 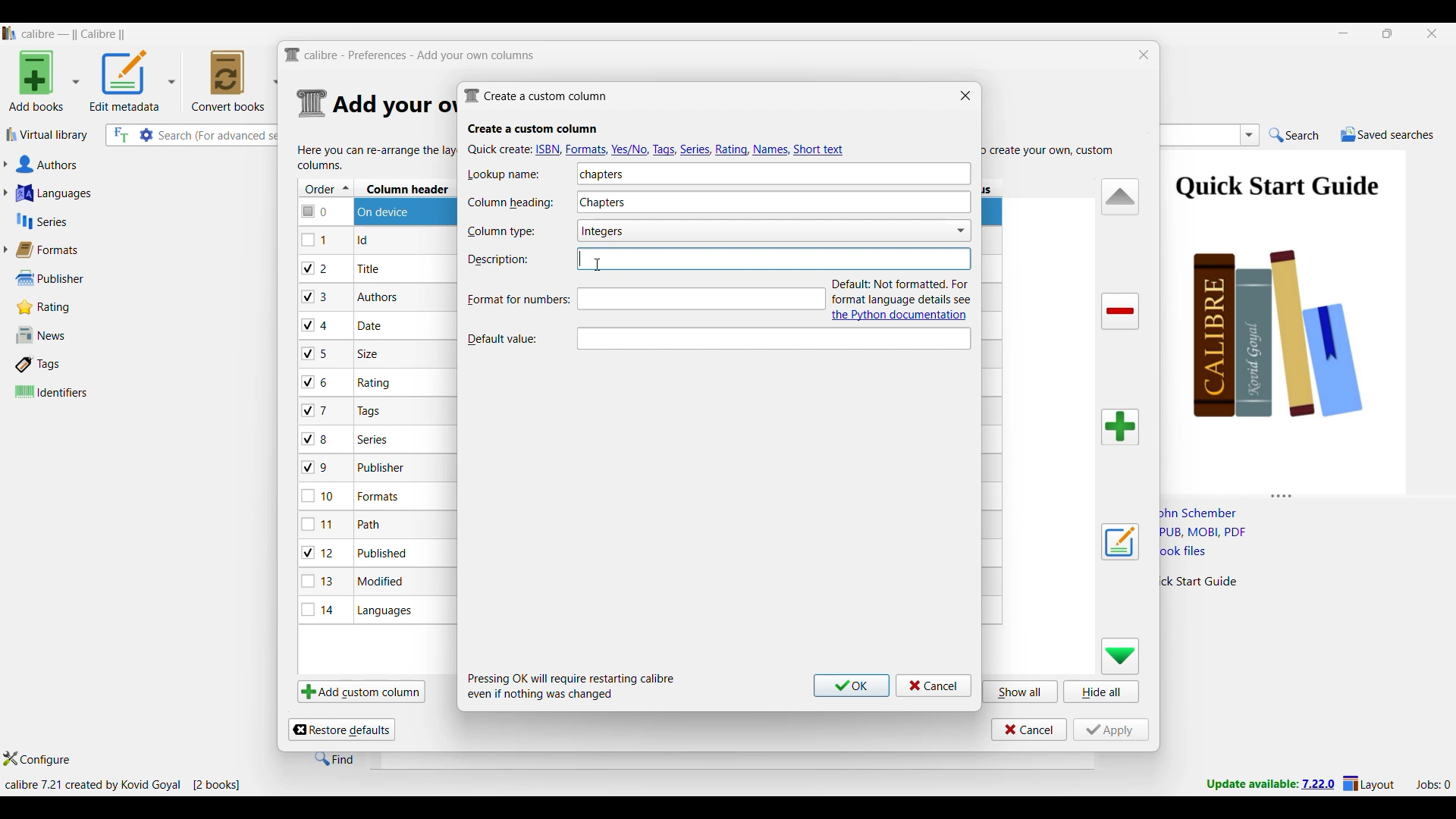 I want to click on Move row down, so click(x=1121, y=656).